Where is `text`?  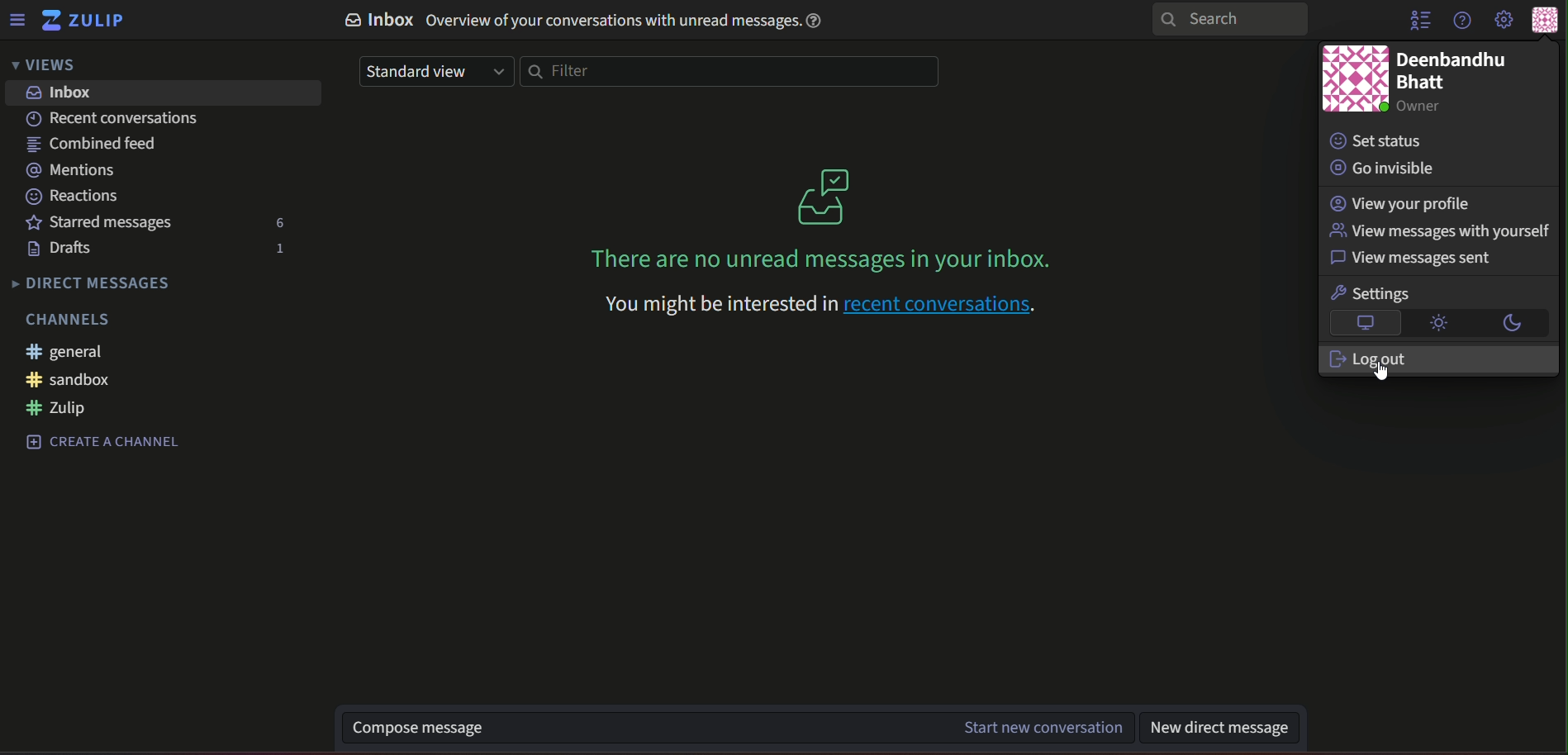
text is located at coordinates (93, 143).